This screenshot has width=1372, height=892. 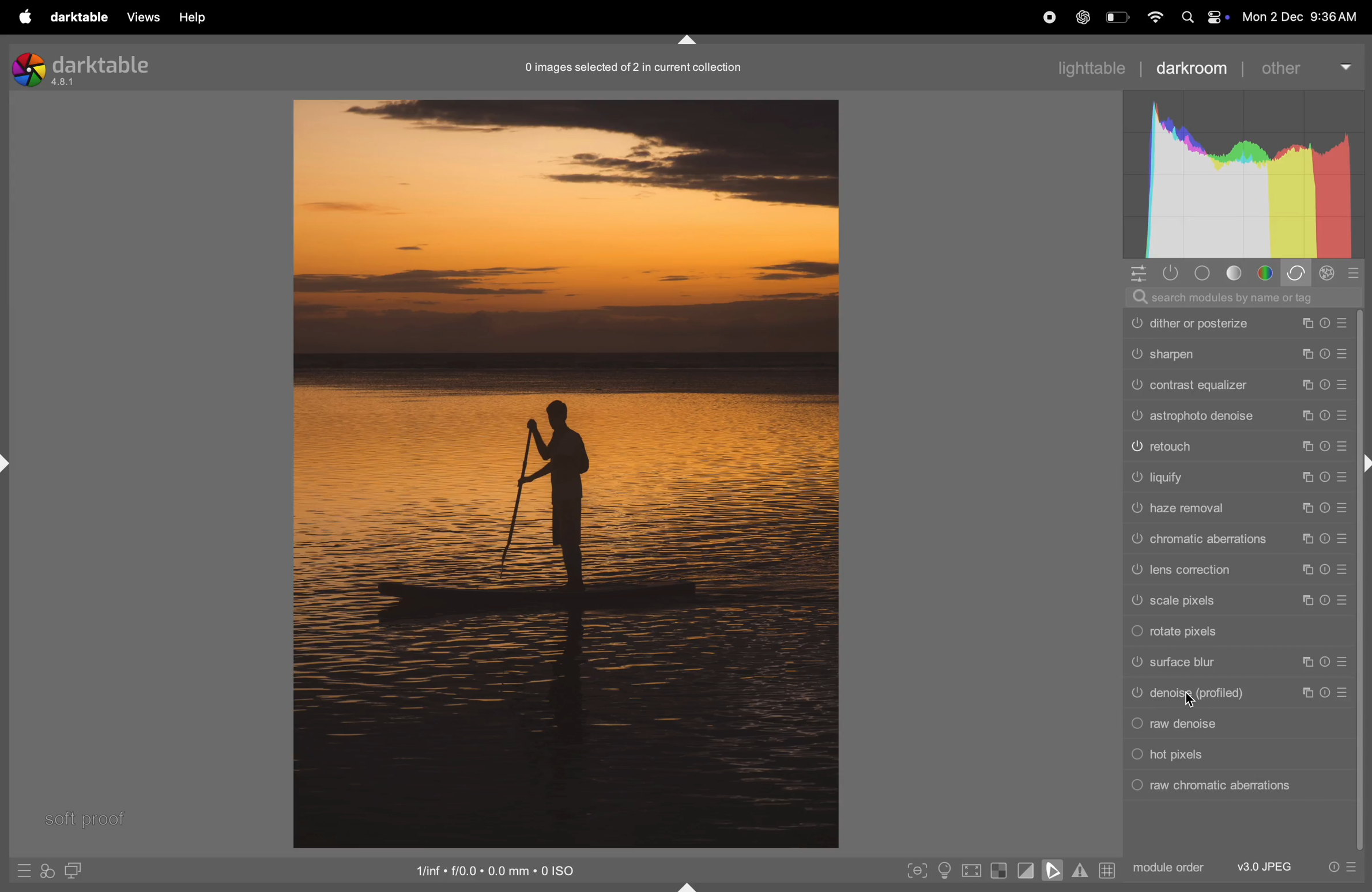 What do you see at coordinates (18, 17) in the screenshot?
I see `apple menu` at bounding box center [18, 17].